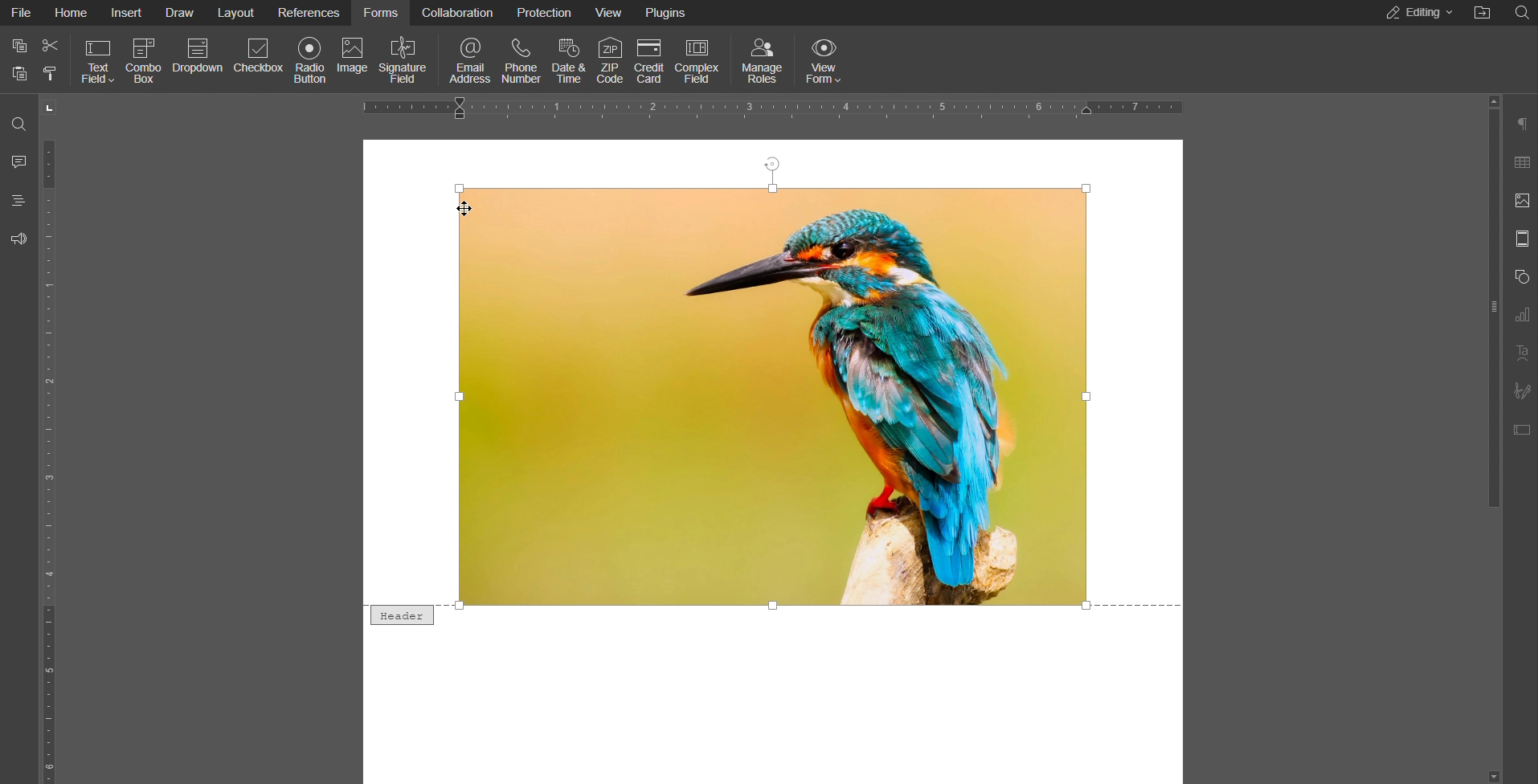 The width and height of the screenshot is (1538, 784). I want to click on Form Settings, so click(1520, 429).